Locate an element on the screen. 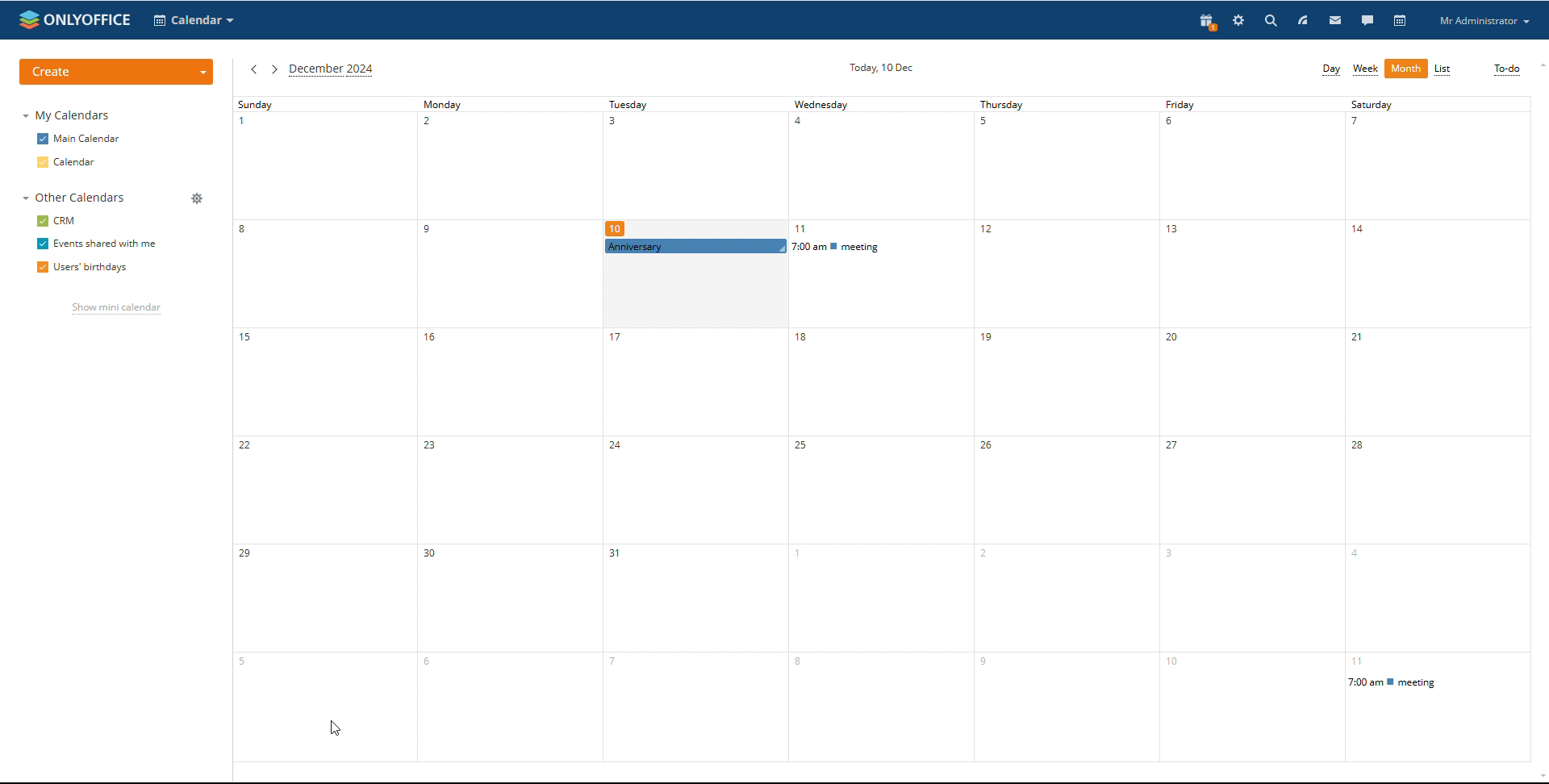 Image resolution: width=1549 pixels, height=784 pixels. search is located at coordinates (1322, 21).